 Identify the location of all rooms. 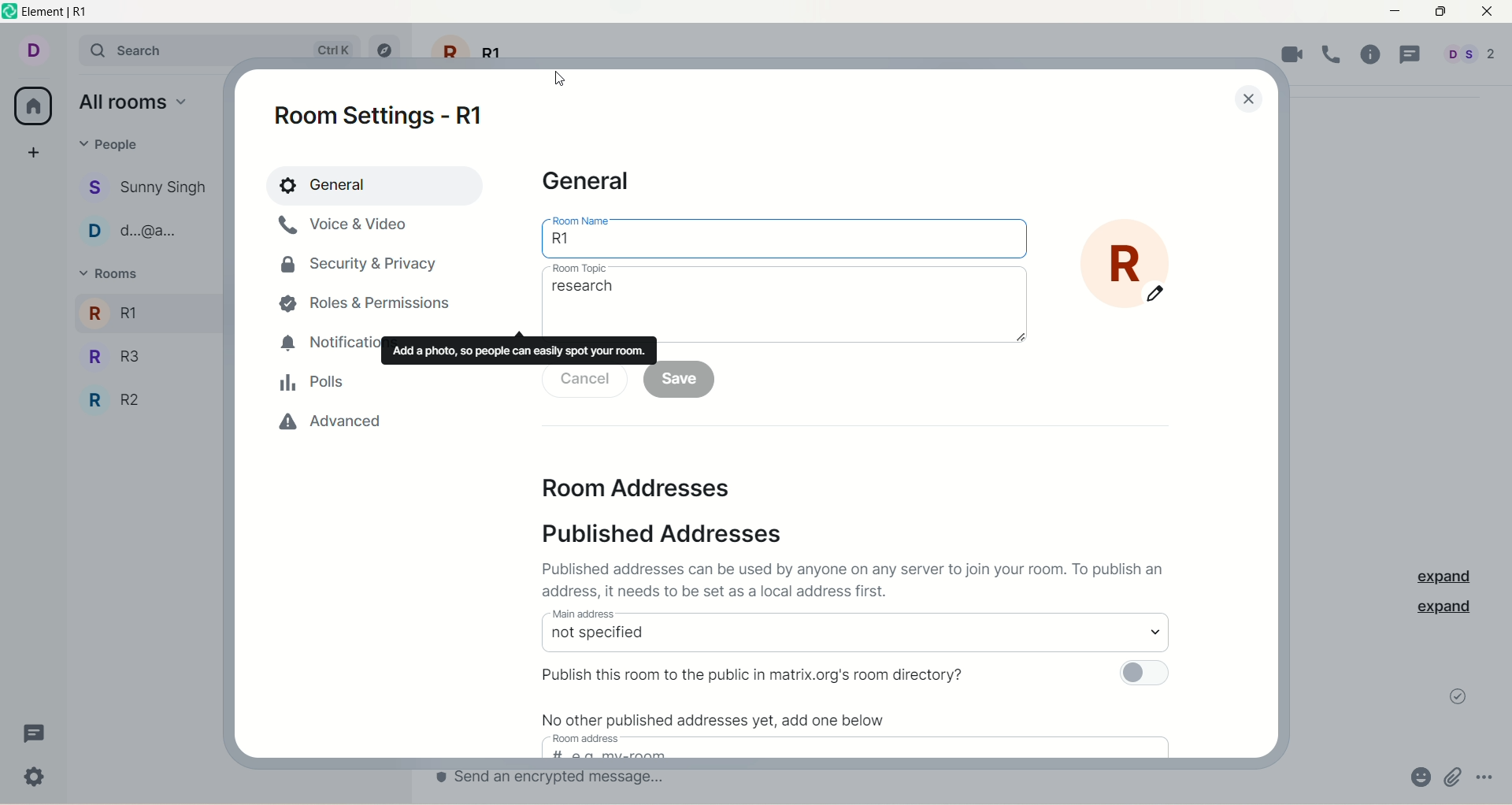
(136, 103).